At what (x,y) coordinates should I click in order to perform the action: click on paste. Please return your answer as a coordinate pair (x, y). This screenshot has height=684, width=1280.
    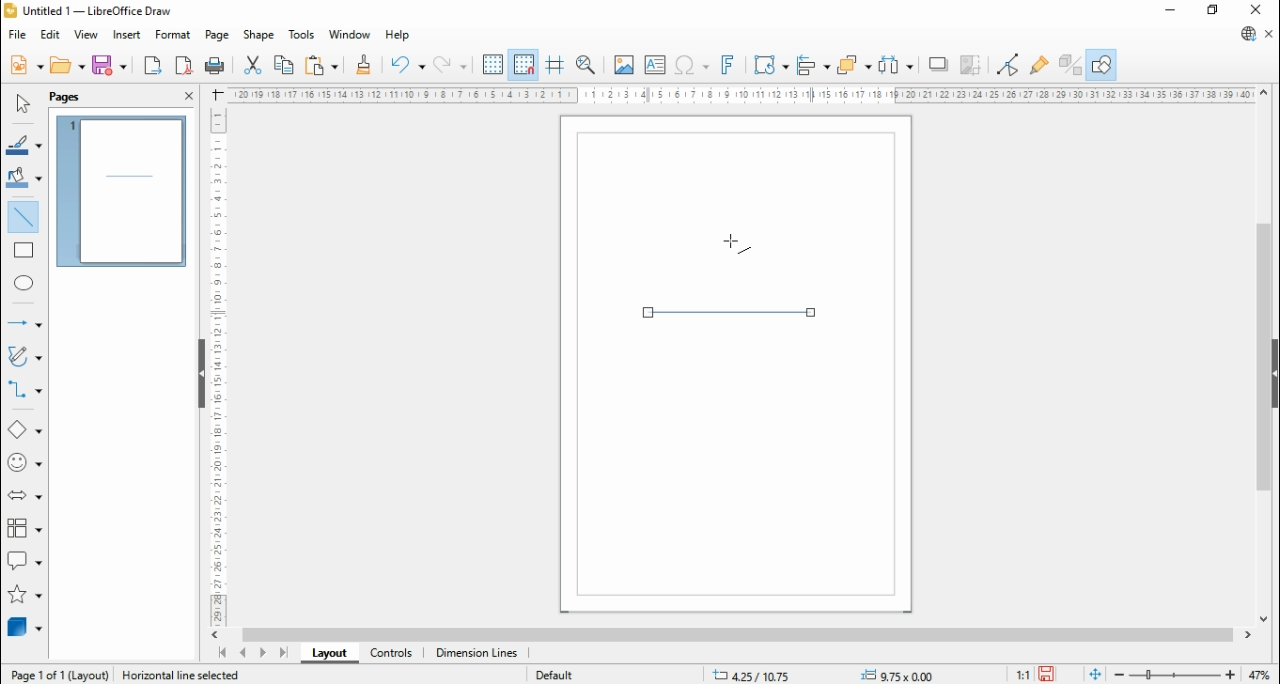
    Looking at the image, I should click on (322, 64).